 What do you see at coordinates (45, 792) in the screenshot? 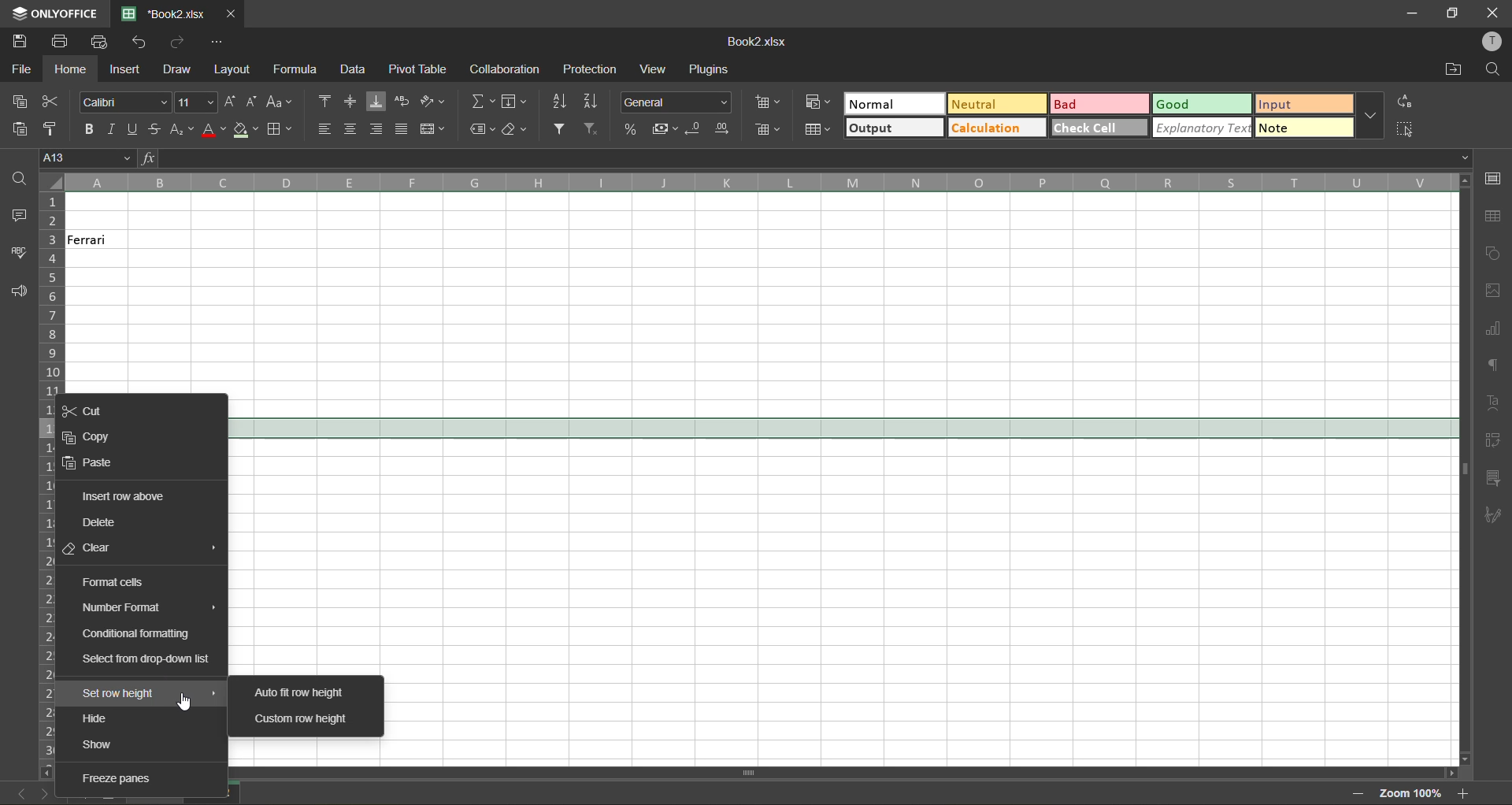
I see `next` at bounding box center [45, 792].